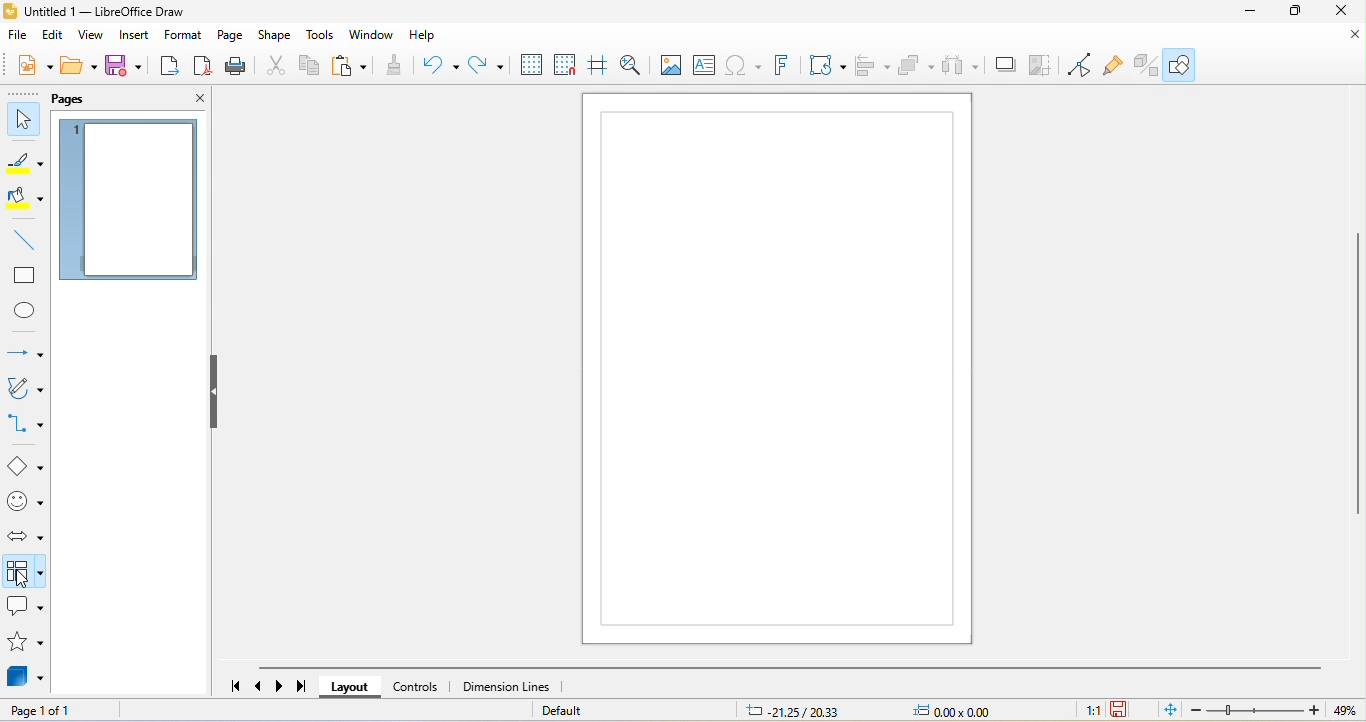  What do you see at coordinates (20, 37) in the screenshot?
I see `file` at bounding box center [20, 37].